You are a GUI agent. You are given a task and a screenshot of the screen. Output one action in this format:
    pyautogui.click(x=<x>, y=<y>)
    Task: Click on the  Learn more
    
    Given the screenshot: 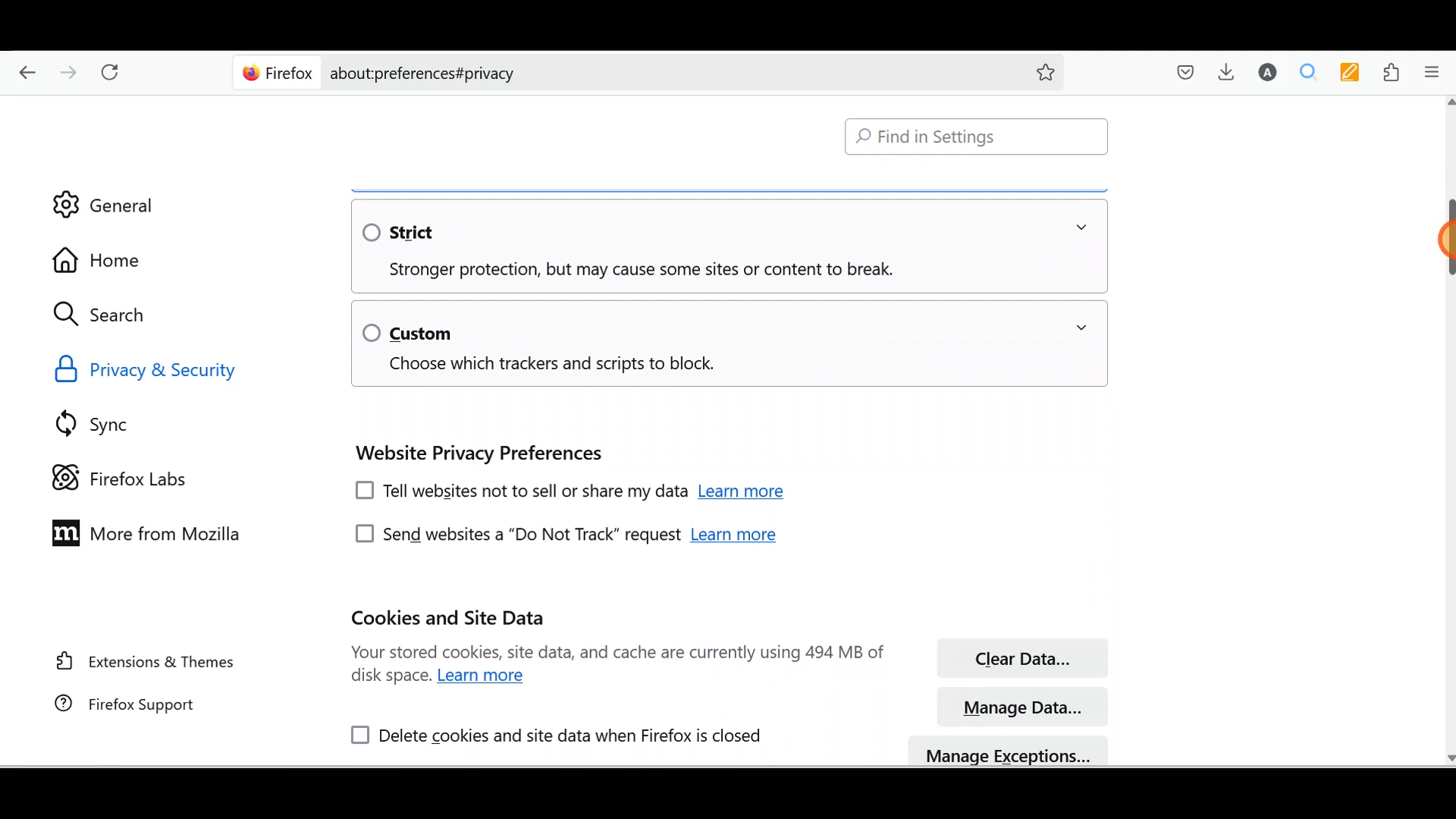 What is the action you would take?
    pyautogui.click(x=485, y=676)
    